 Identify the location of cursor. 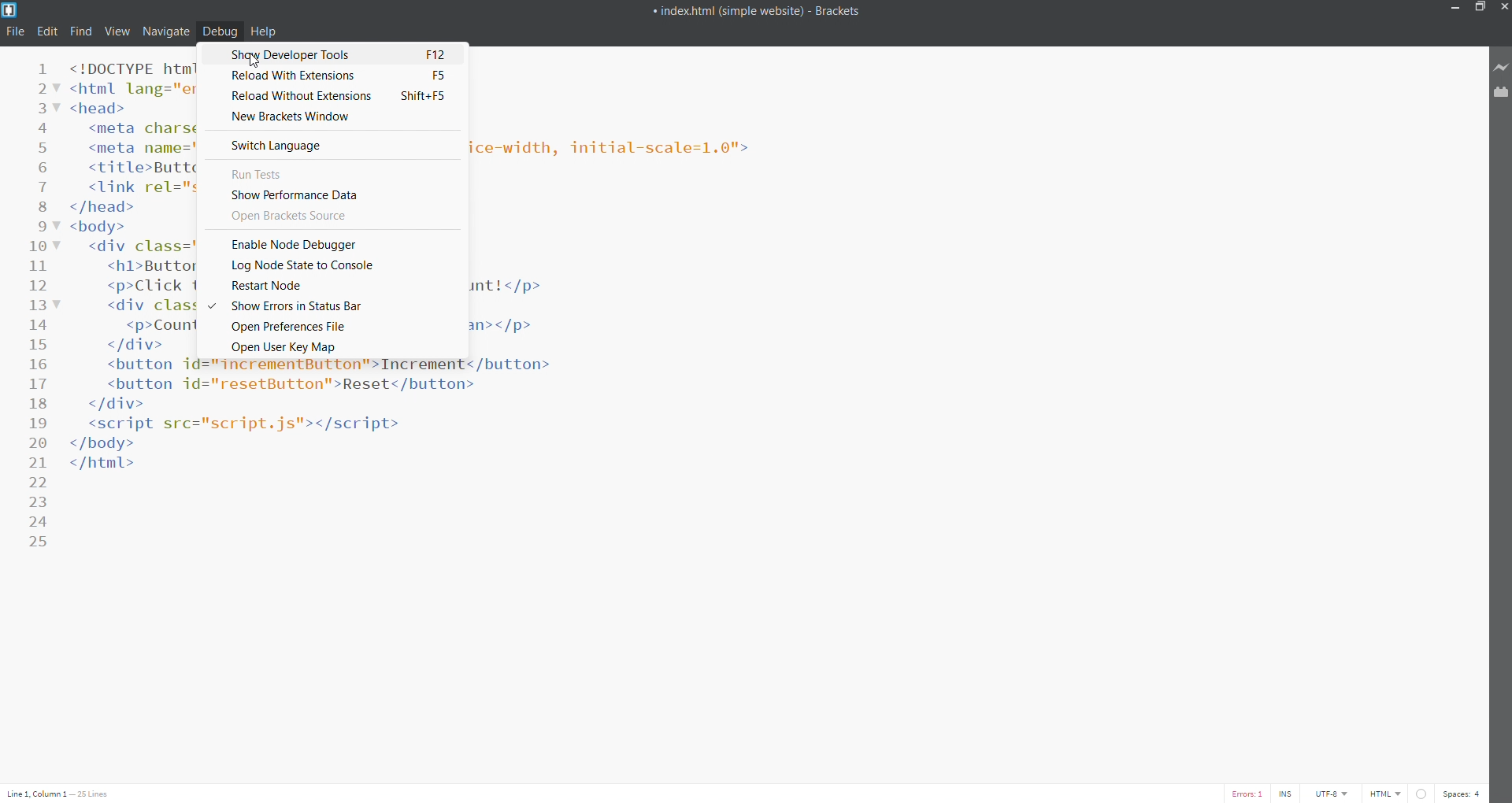
(252, 61).